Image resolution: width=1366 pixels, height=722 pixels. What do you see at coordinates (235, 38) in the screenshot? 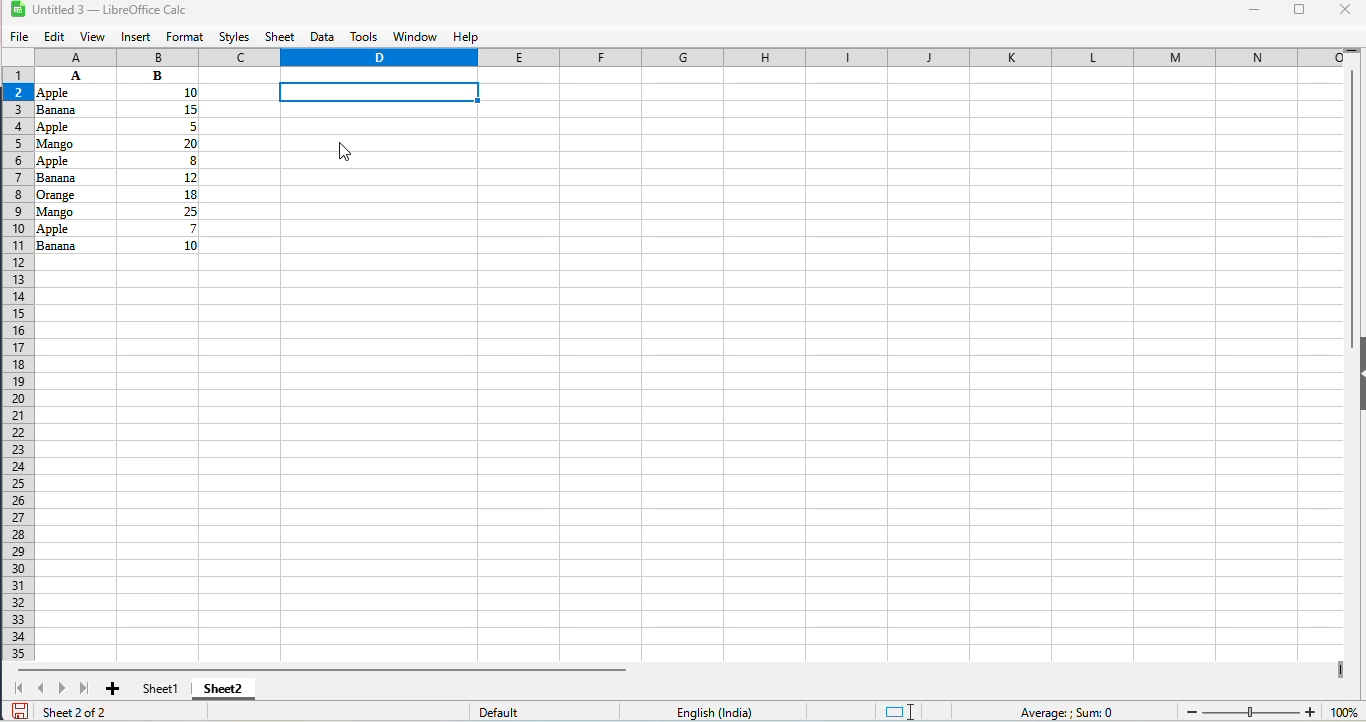
I see `styles` at bounding box center [235, 38].